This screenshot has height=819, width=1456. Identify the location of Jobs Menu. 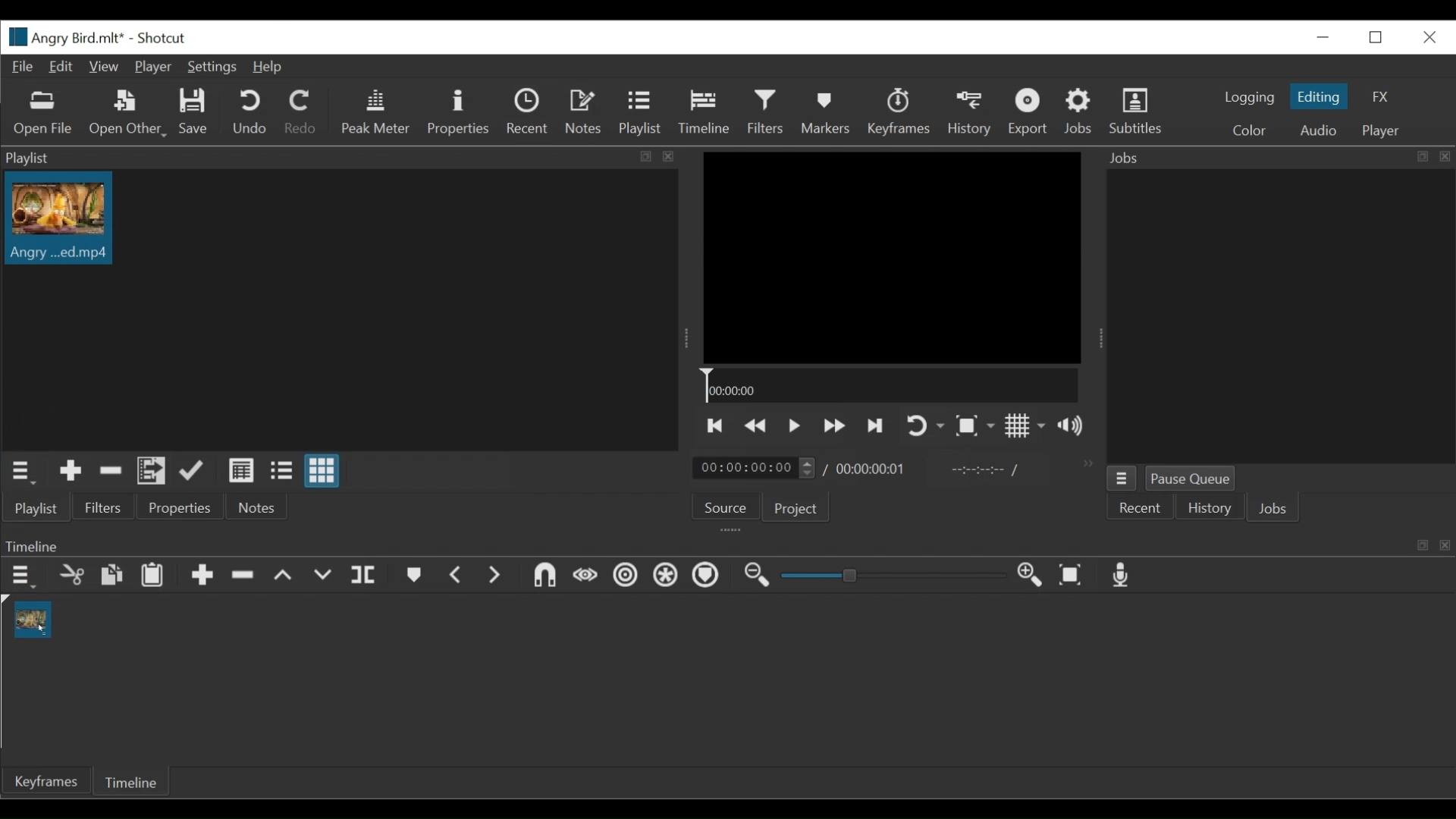
(1122, 480).